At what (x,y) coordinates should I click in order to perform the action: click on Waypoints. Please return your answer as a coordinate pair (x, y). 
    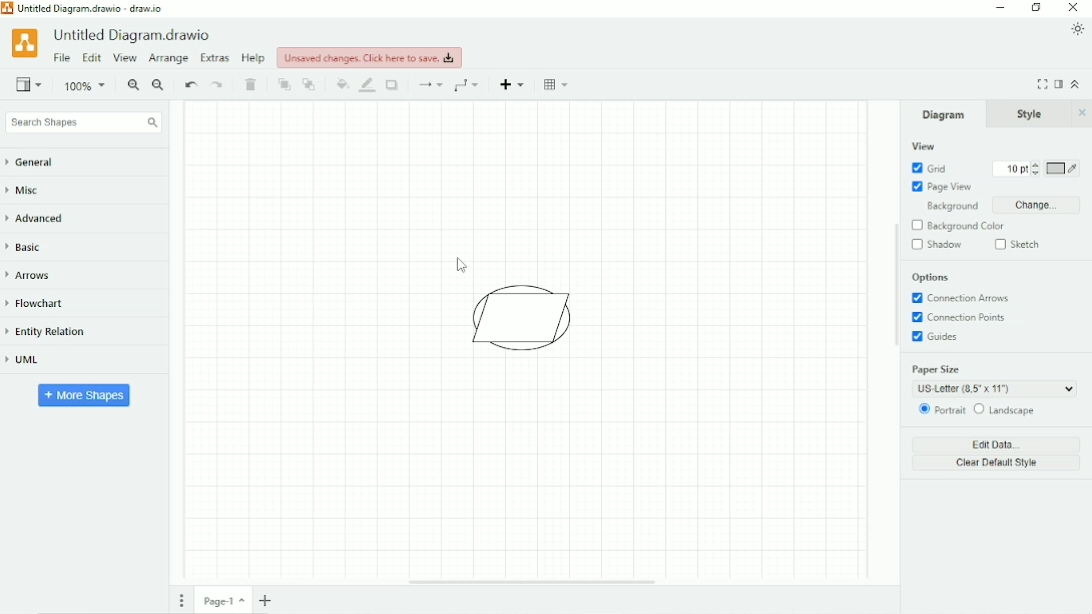
    Looking at the image, I should click on (469, 85).